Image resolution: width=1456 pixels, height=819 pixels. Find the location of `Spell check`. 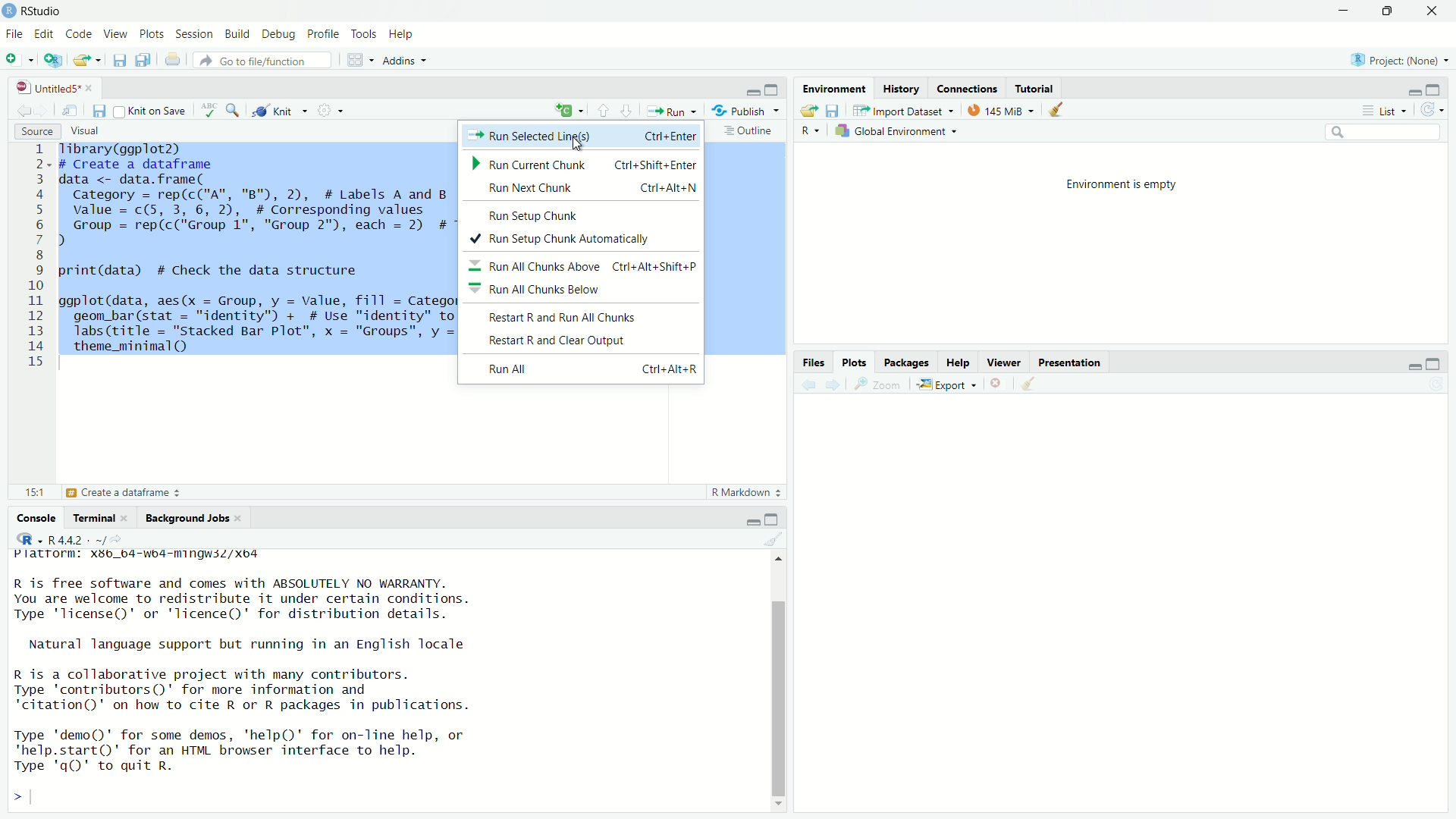

Spell check is located at coordinates (208, 108).